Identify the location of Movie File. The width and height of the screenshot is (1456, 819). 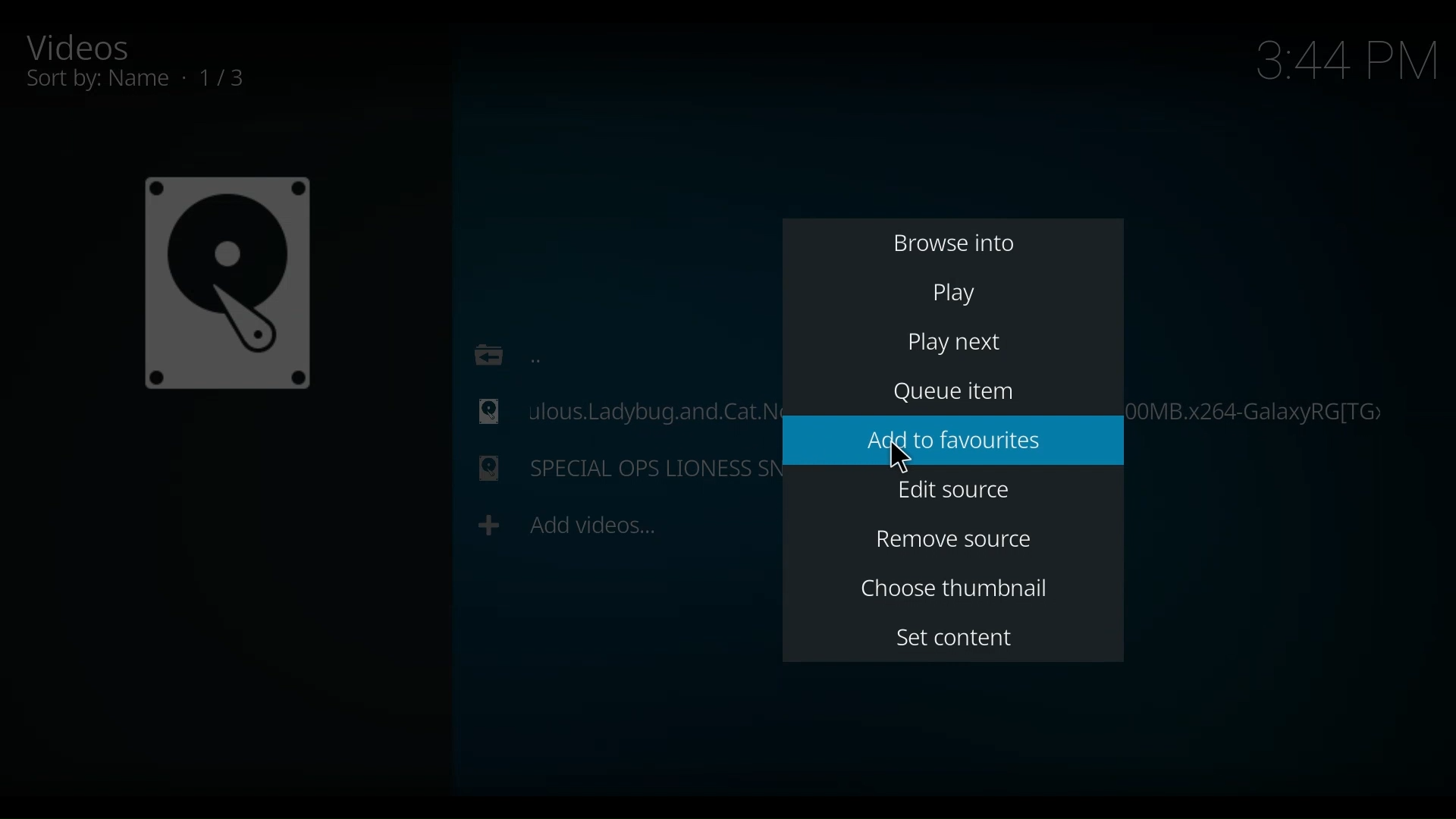
(616, 409).